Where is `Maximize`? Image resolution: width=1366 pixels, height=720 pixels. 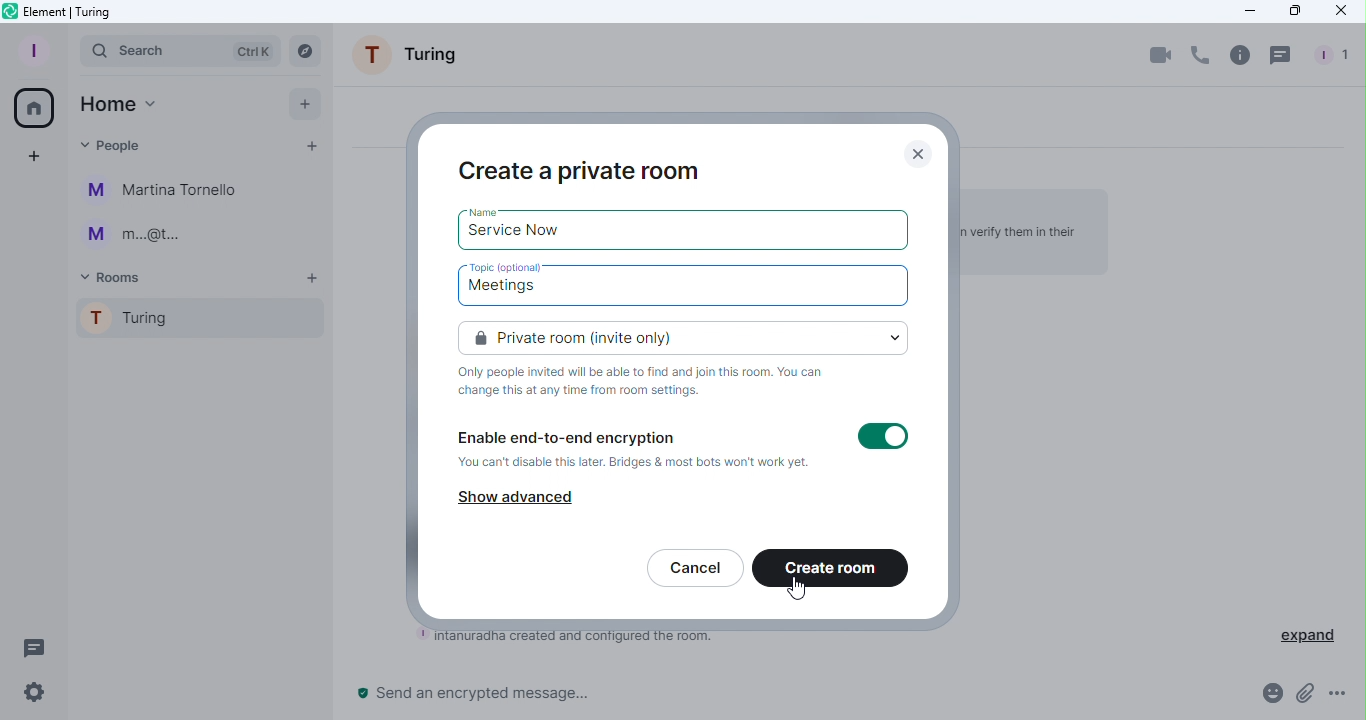 Maximize is located at coordinates (1293, 11).